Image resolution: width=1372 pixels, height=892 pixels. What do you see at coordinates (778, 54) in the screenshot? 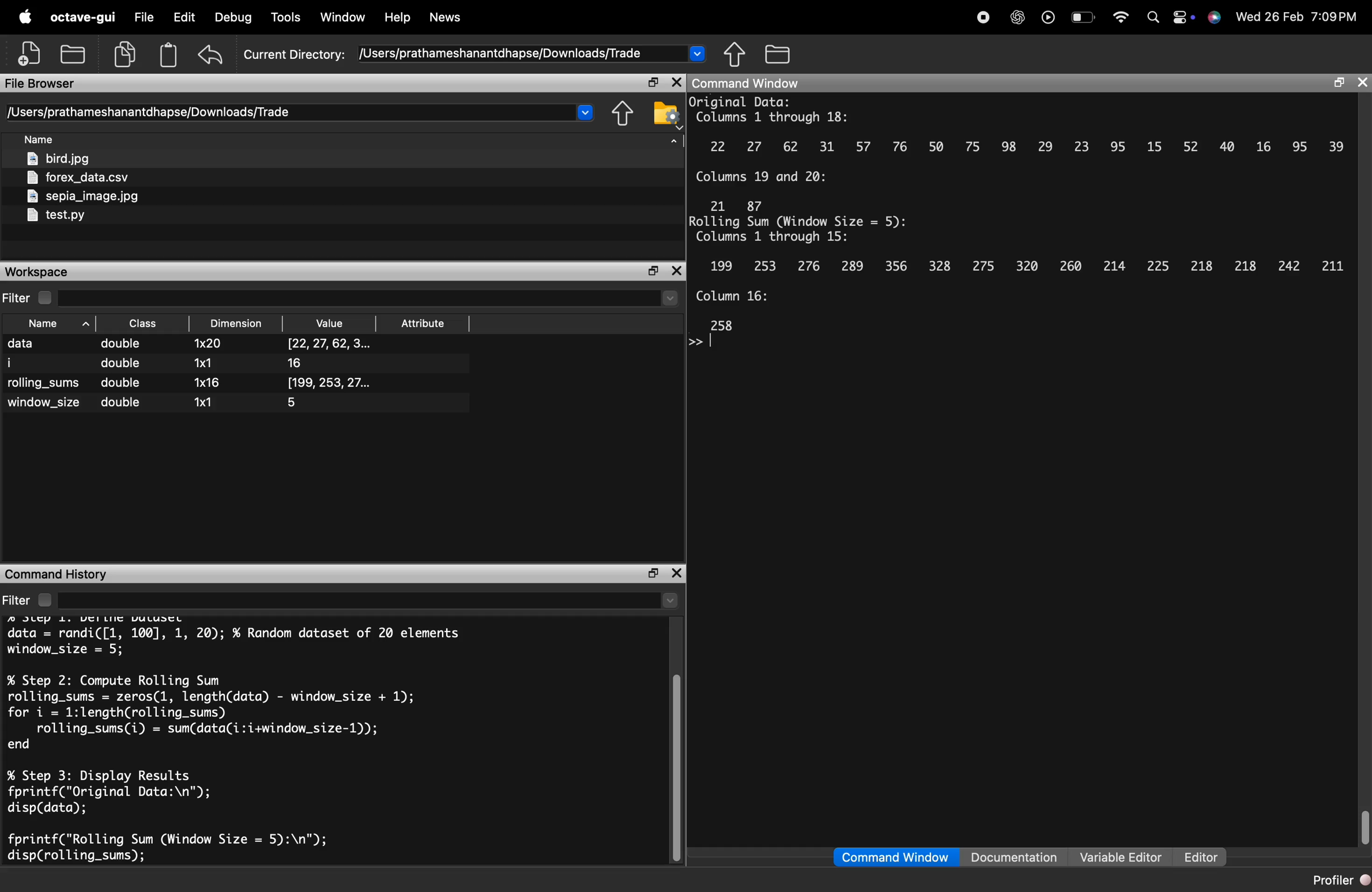
I see `browse directories` at bounding box center [778, 54].